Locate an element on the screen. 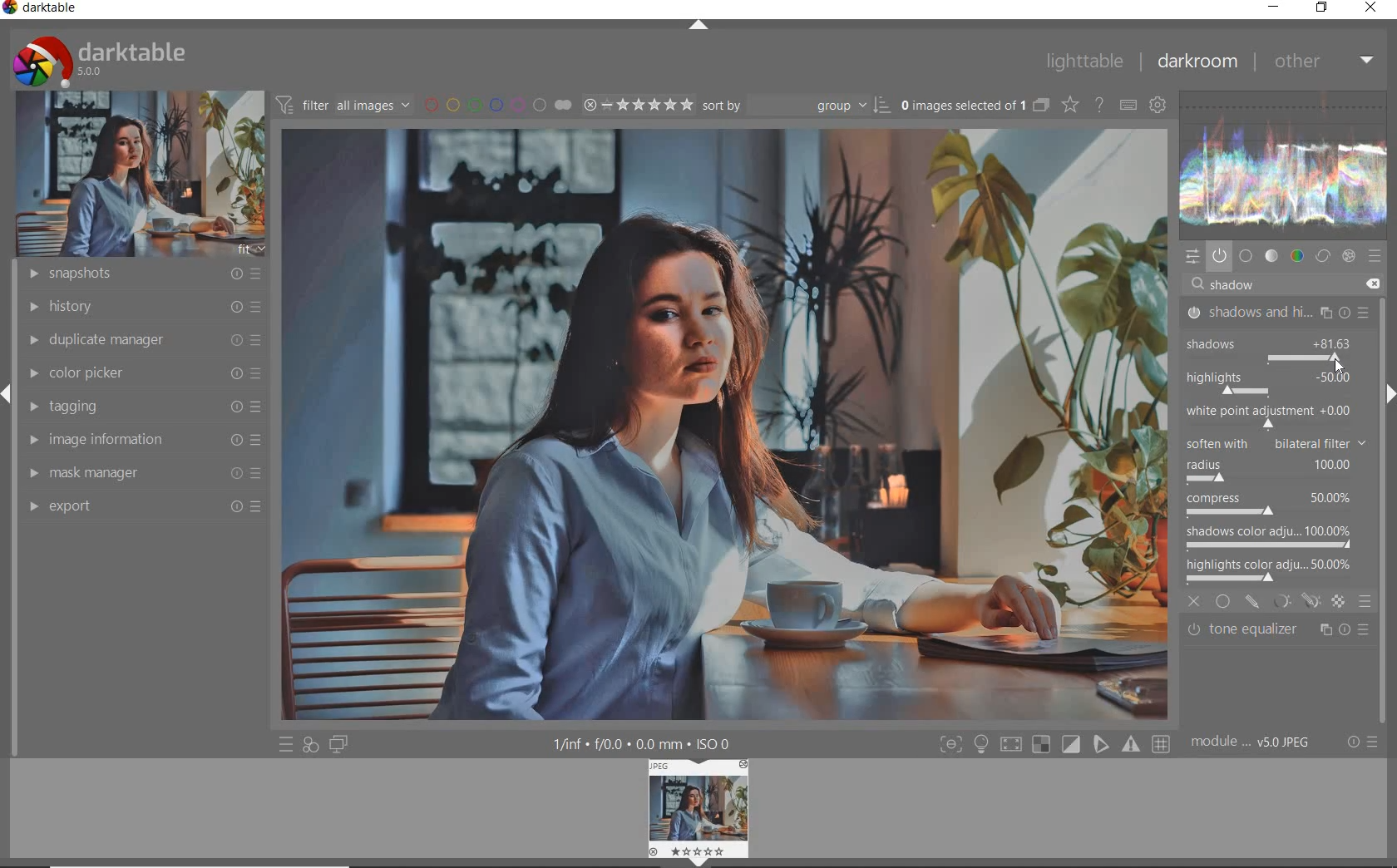  tone is located at coordinates (1271, 255).